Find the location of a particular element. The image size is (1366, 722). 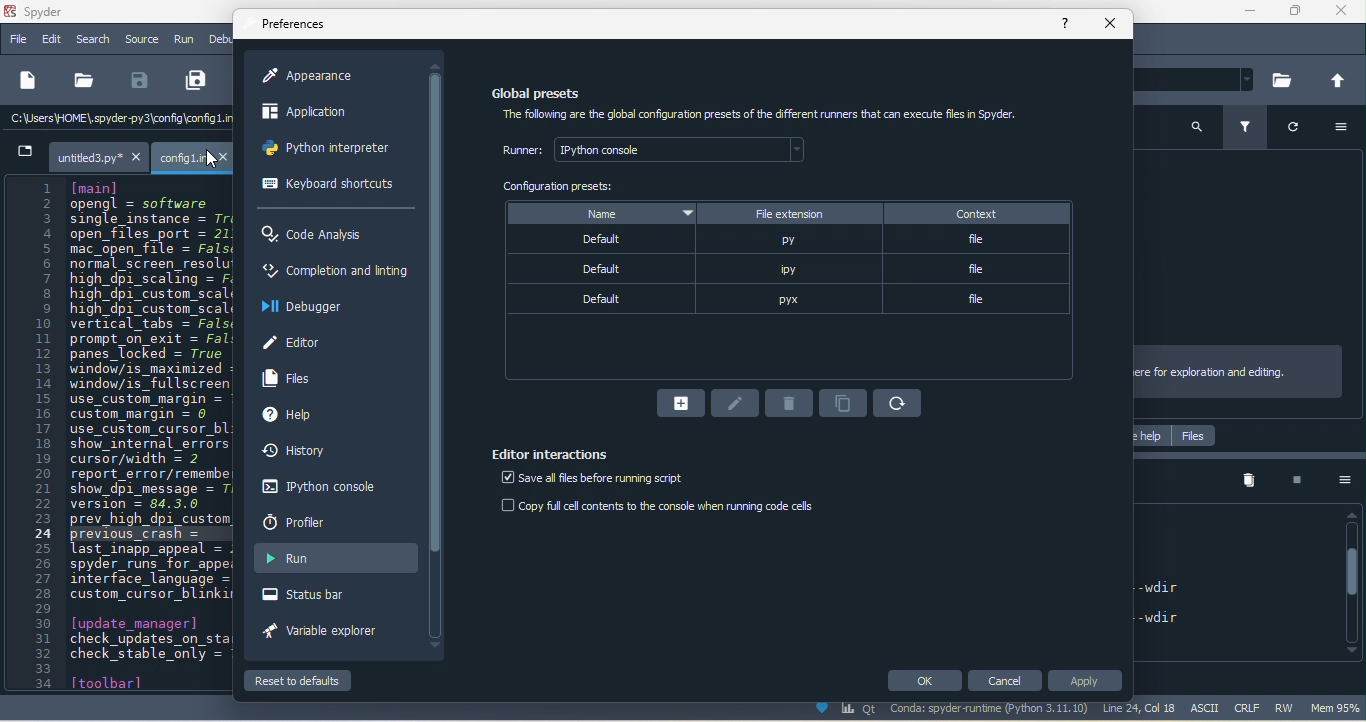

scrollbar is located at coordinates (437, 353).